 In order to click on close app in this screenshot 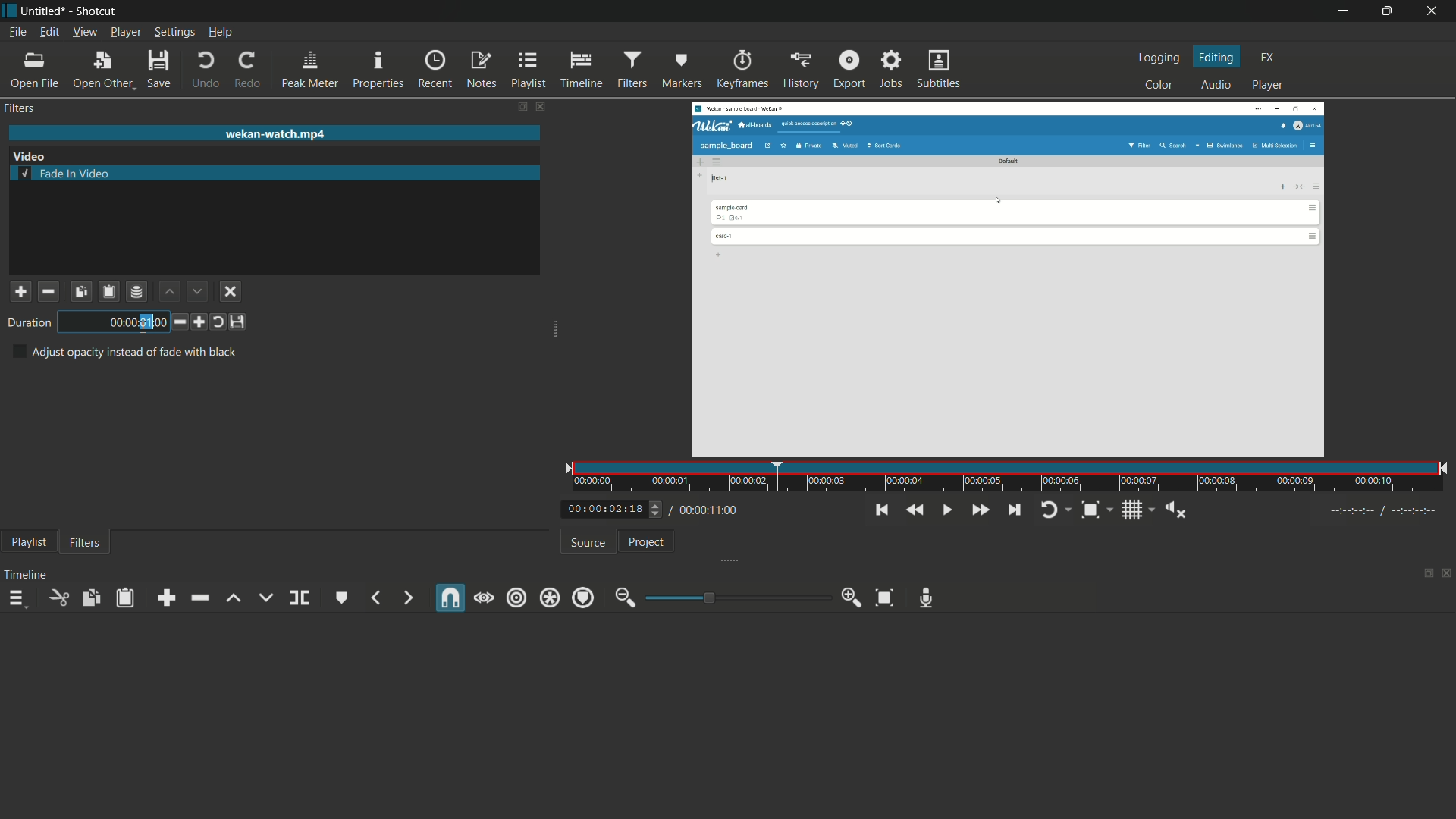, I will do `click(1434, 12)`.